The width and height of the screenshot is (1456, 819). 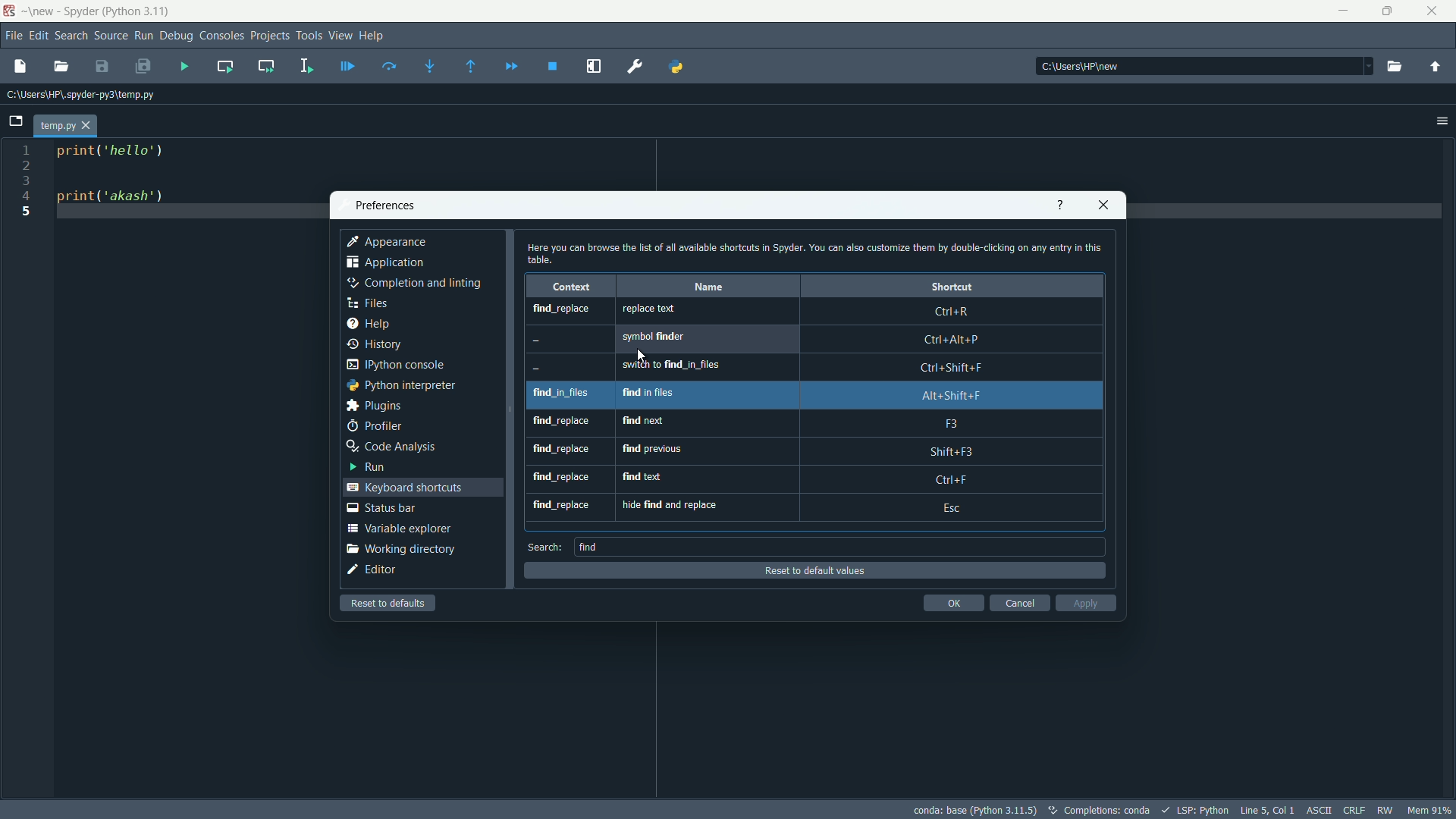 What do you see at coordinates (431, 67) in the screenshot?
I see `step into function` at bounding box center [431, 67].